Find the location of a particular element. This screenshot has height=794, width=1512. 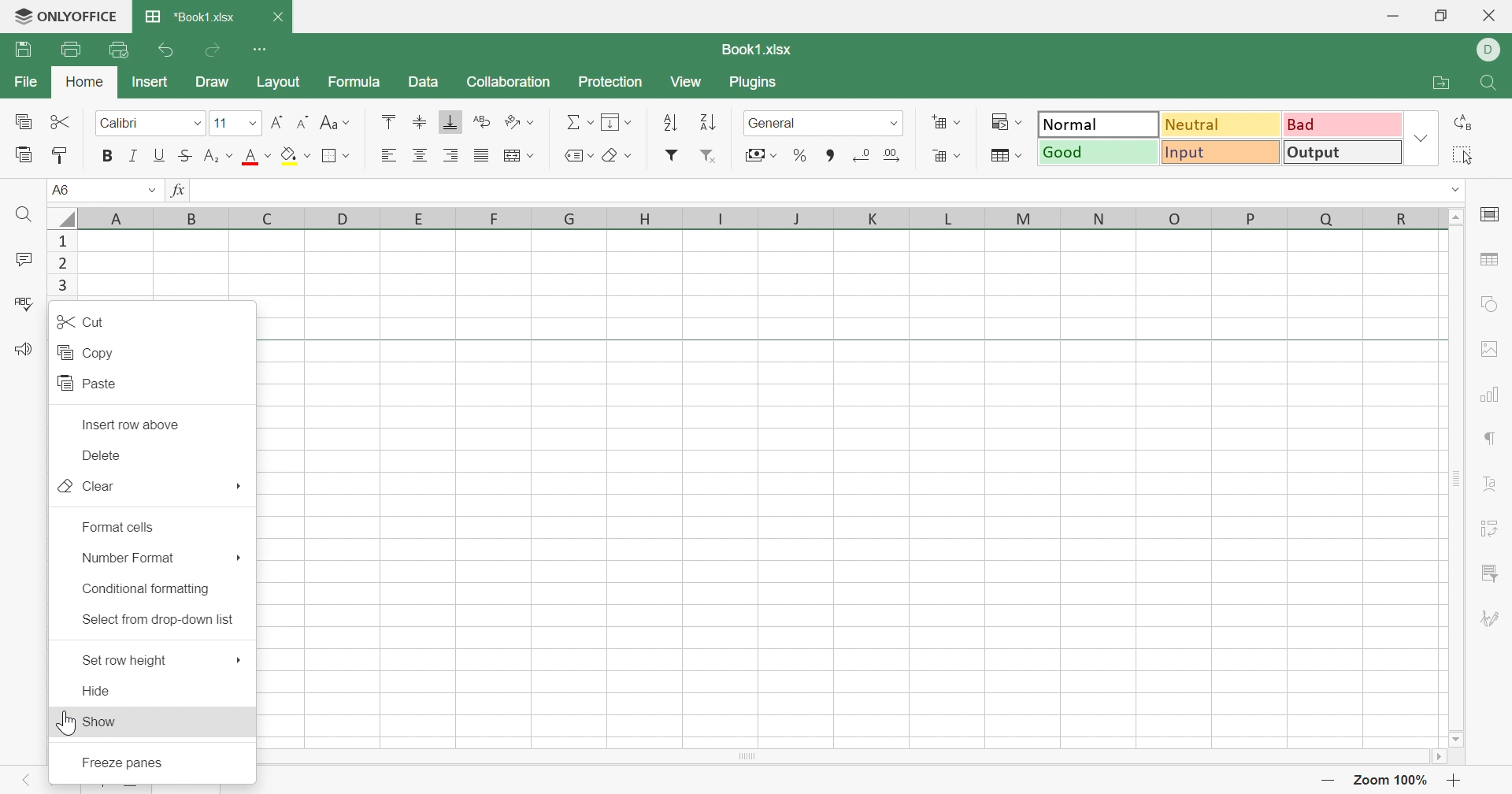

11 is located at coordinates (220, 123).